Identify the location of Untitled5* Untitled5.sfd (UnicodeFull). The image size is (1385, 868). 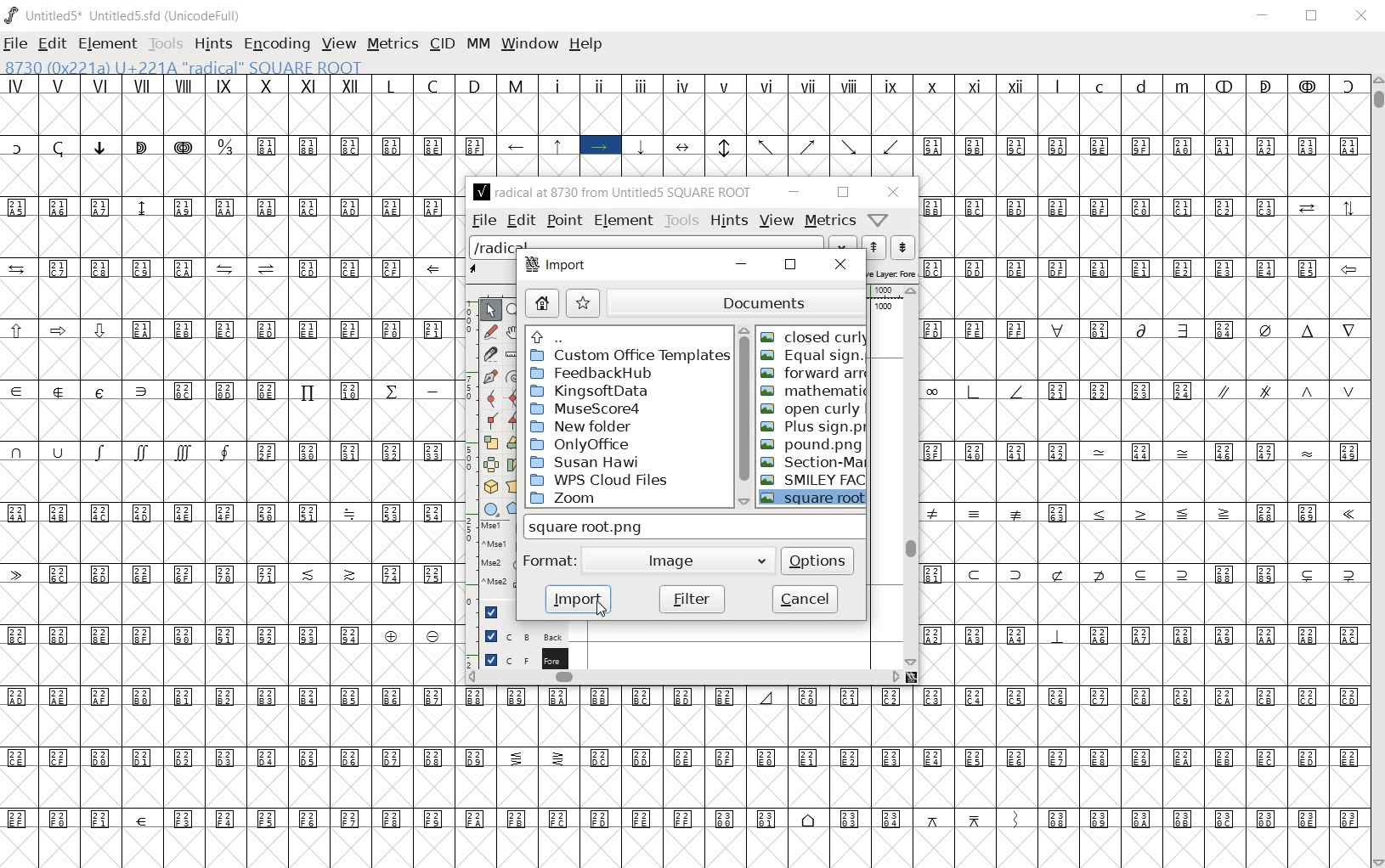
(124, 13).